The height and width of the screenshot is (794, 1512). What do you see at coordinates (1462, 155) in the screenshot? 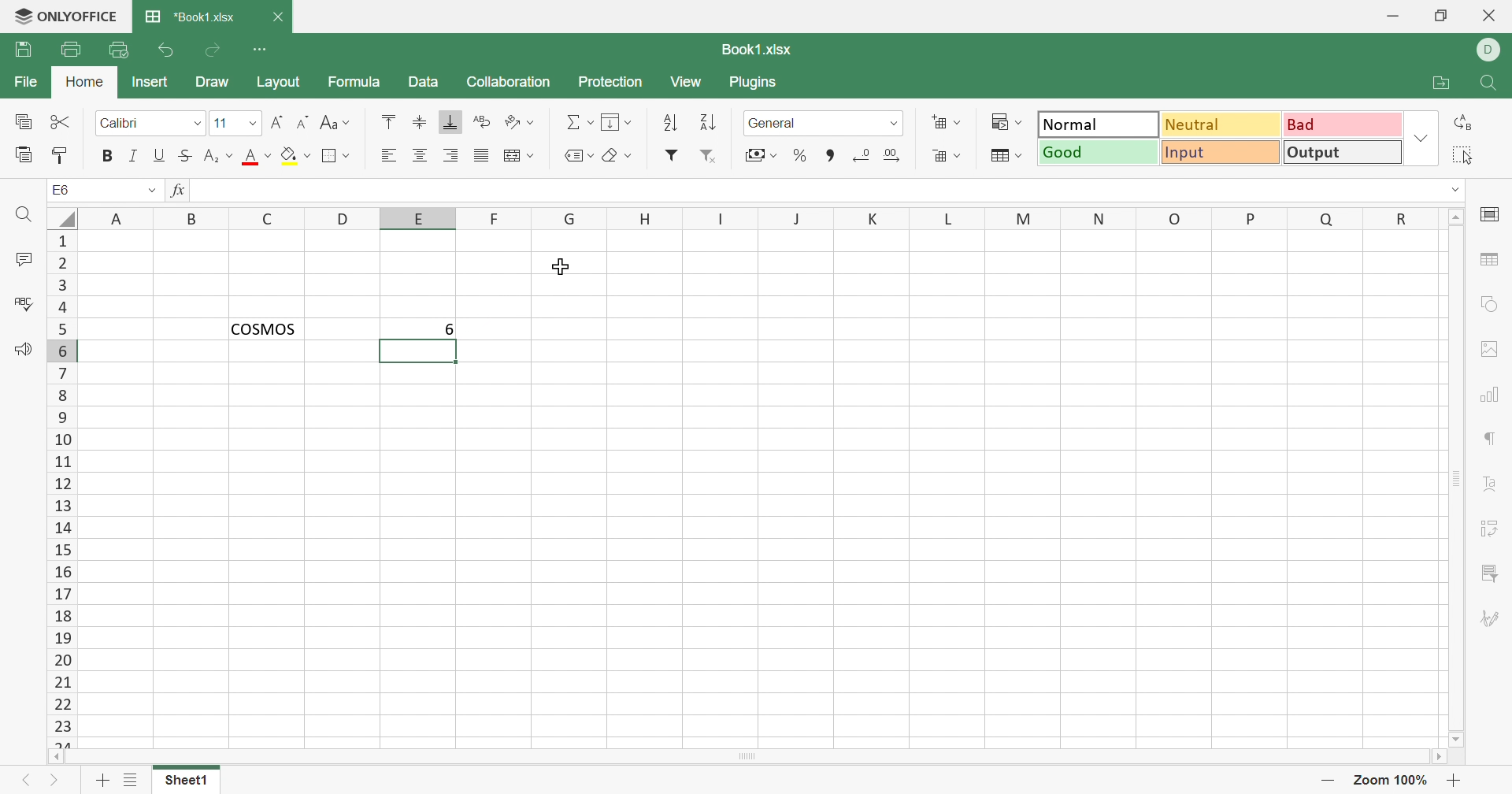
I see `Select all` at bounding box center [1462, 155].